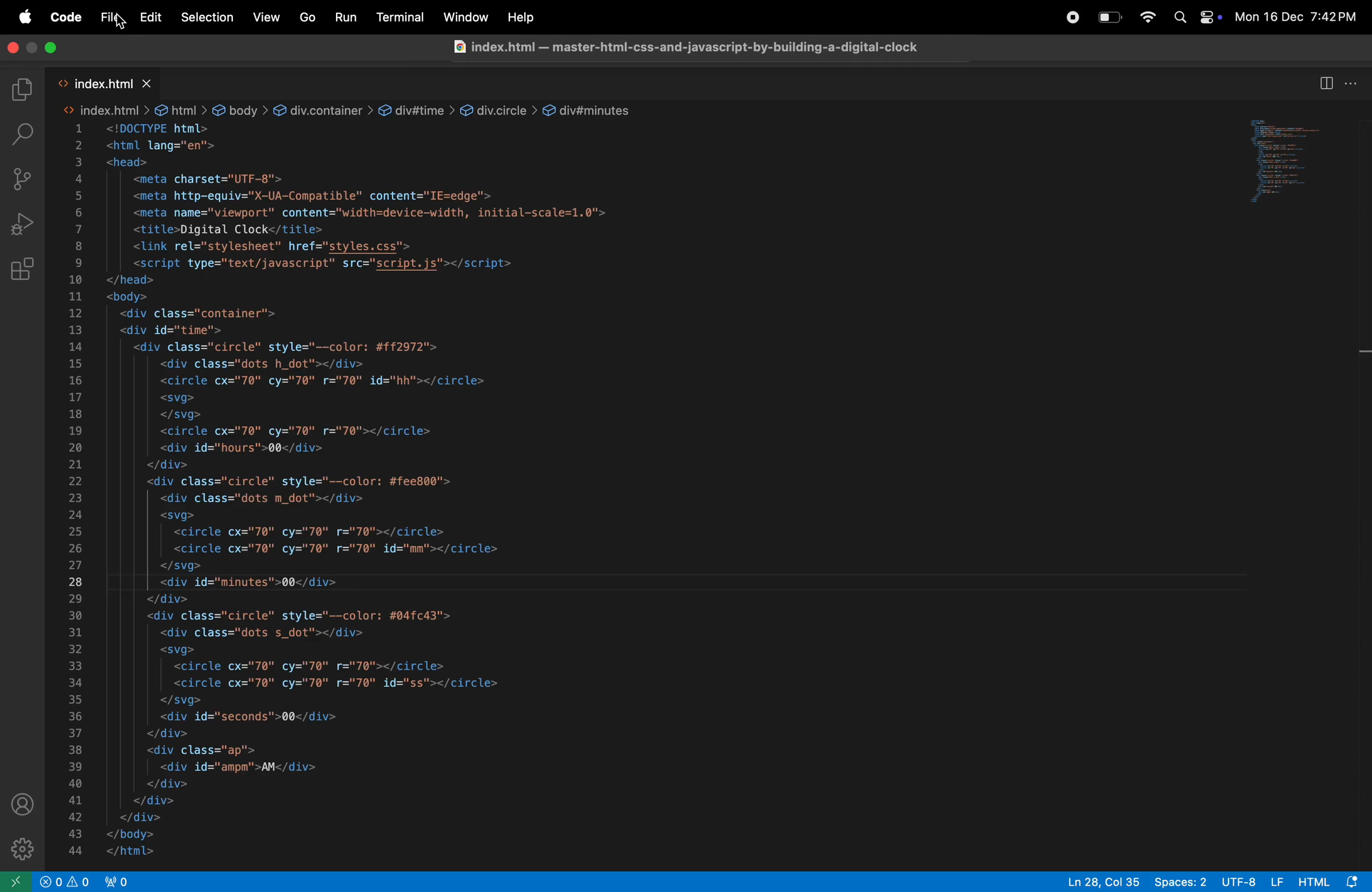 Image resolution: width=1372 pixels, height=892 pixels. I want to click on Mon 16 Dec 7:42 PM, so click(1297, 16).